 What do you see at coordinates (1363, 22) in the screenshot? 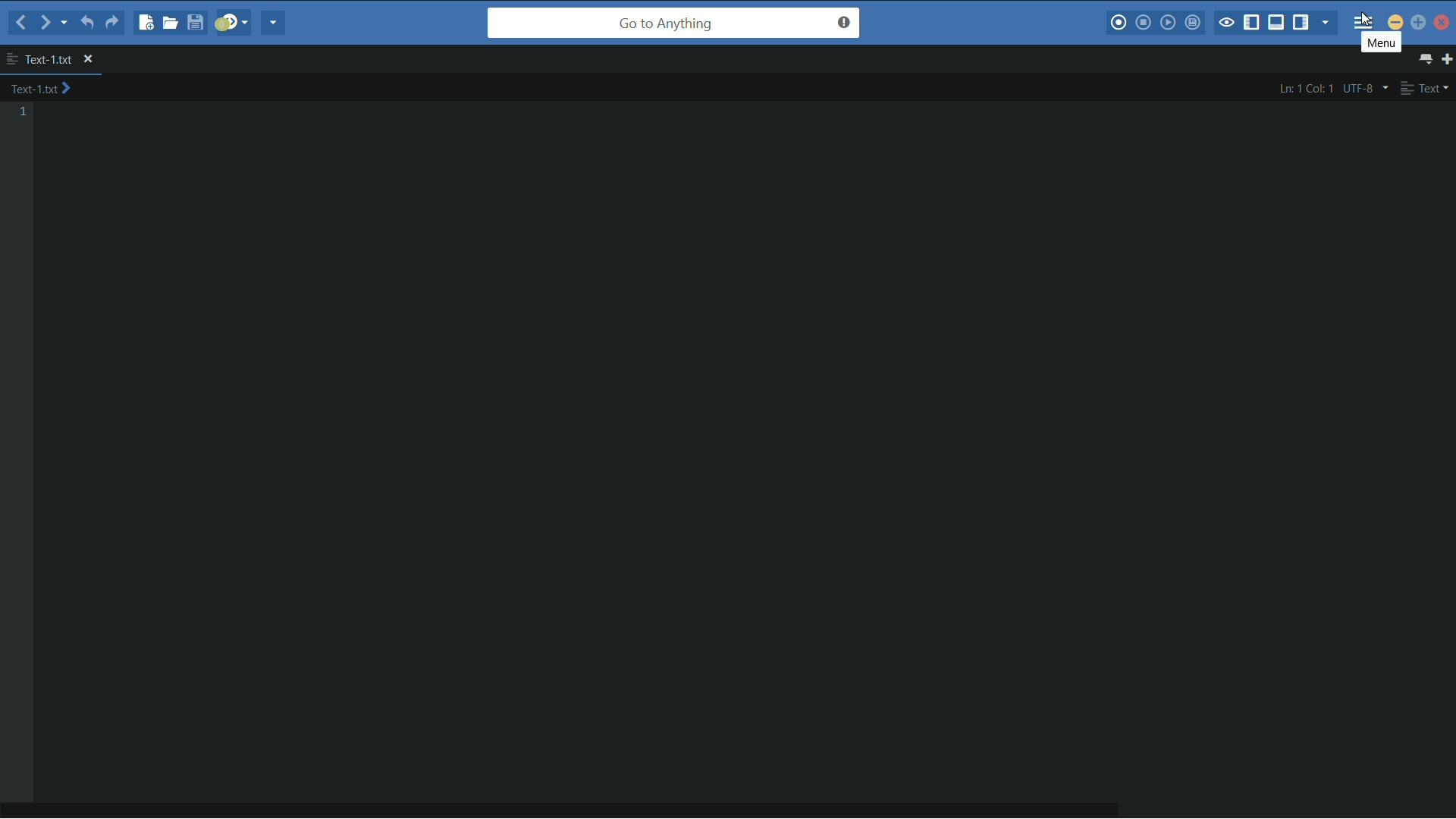
I see `cursor` at bounding box center [1363, 22].